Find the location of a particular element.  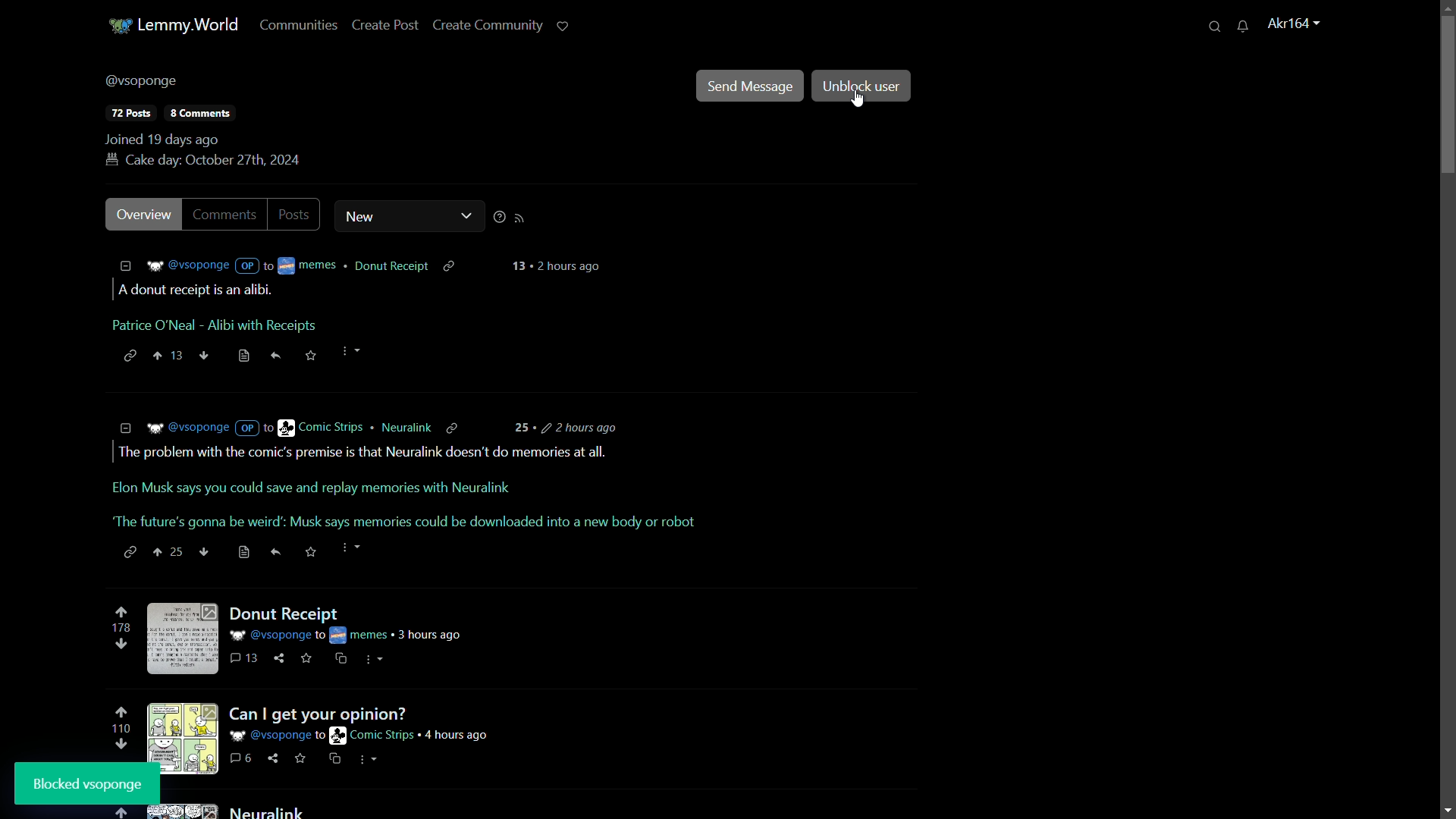

create post is located at coordinates (388, 26).